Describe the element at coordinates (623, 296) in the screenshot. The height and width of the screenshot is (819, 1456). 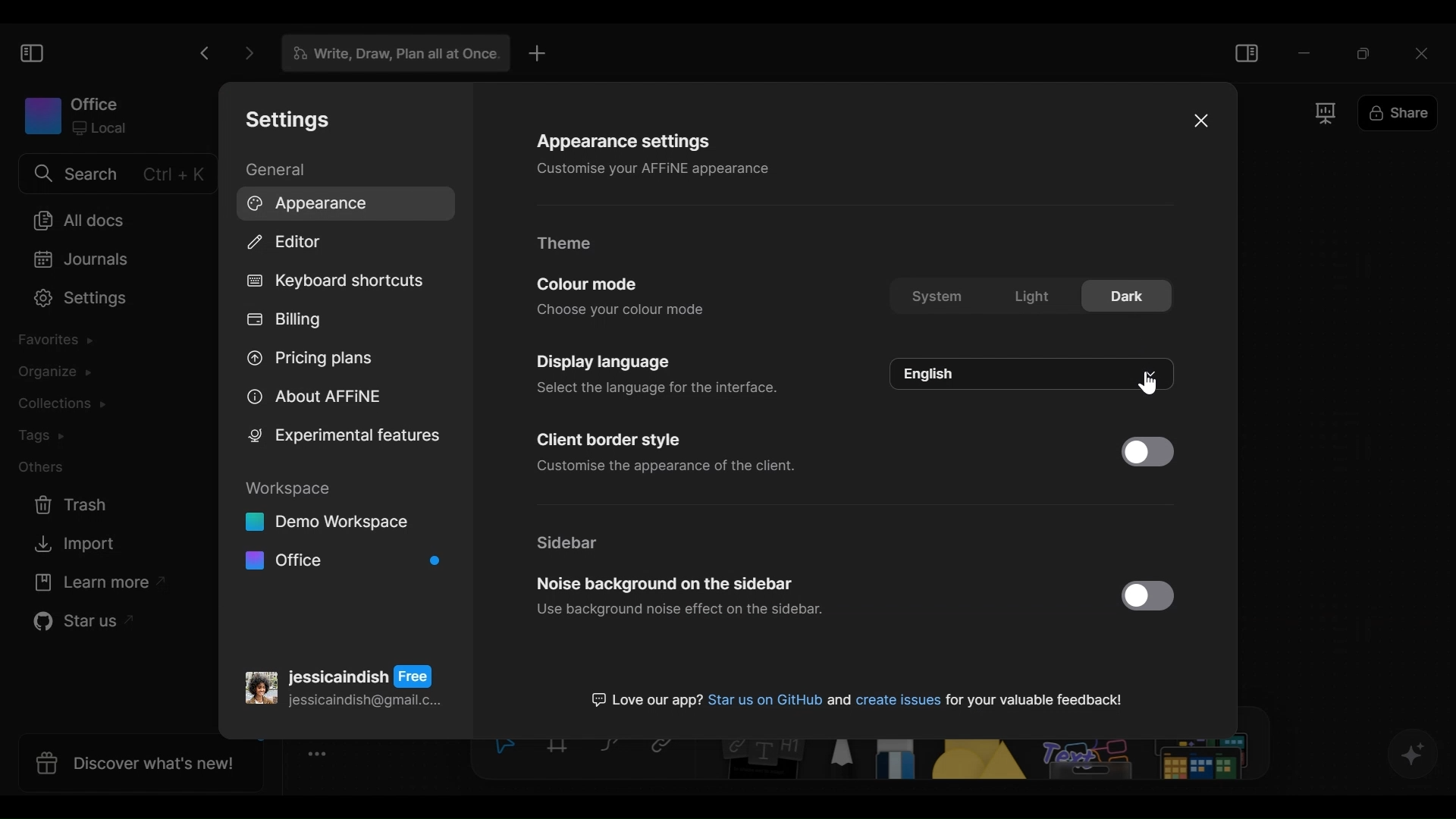
I see `Color mode` at that location.